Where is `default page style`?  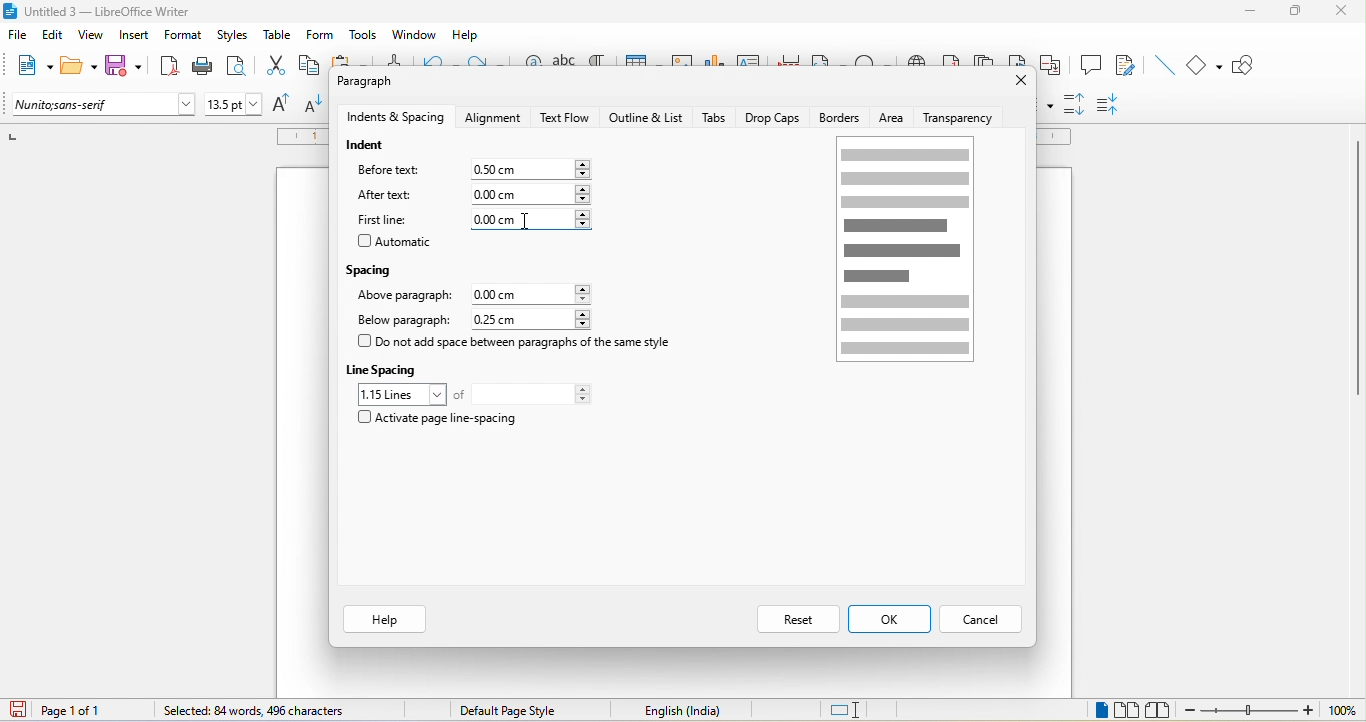
default page style is located at coordinates (511, 711).